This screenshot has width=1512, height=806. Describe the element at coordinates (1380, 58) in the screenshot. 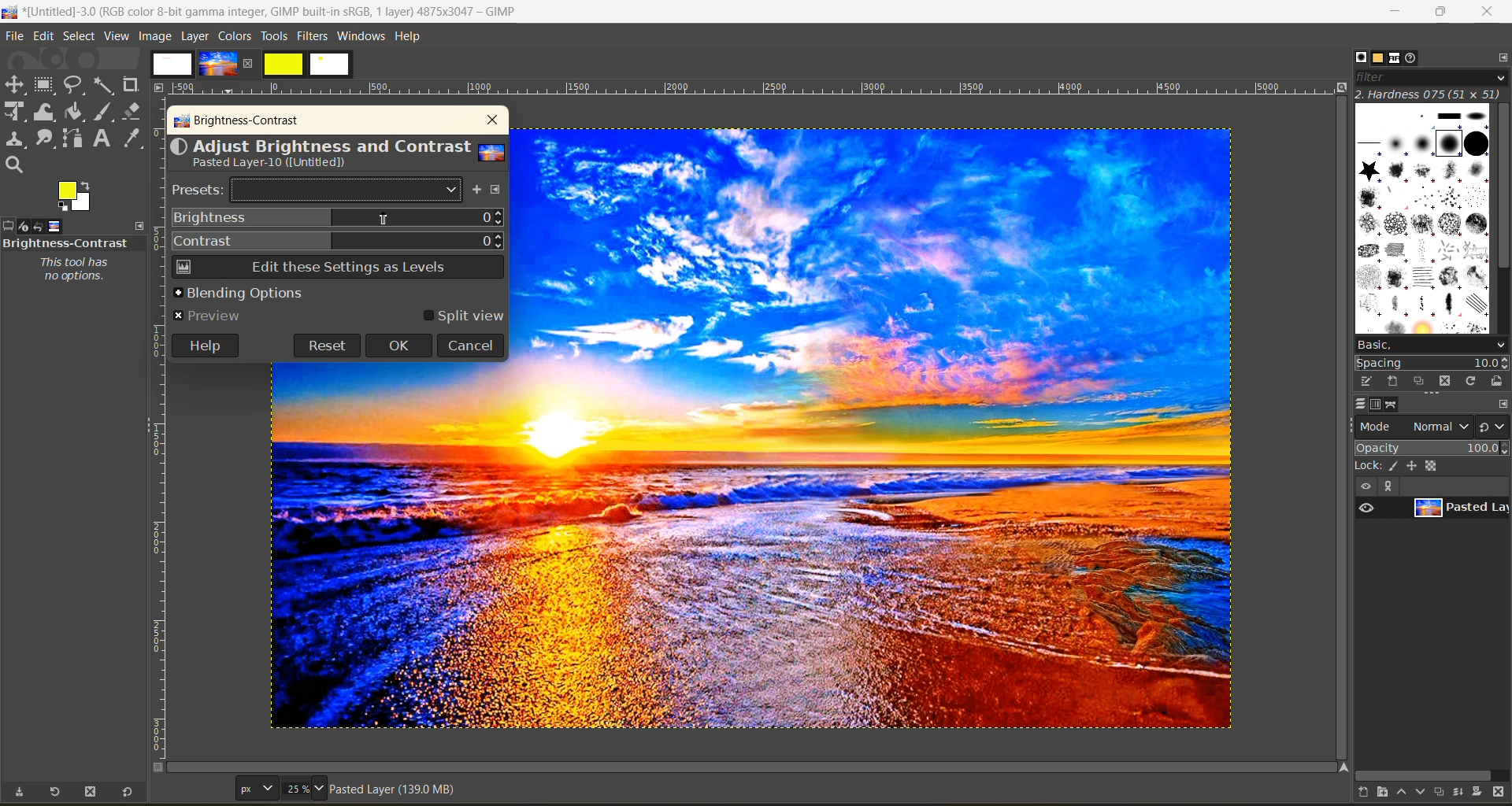

I see `patterns` at that location.